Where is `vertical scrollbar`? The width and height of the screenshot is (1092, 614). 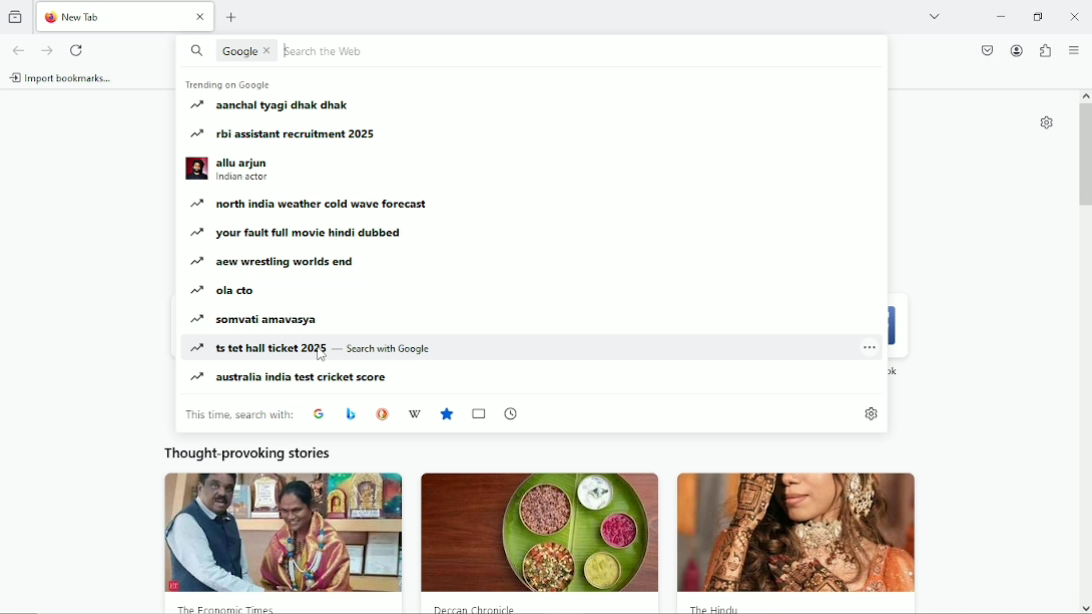 vertical scrollbar is located at coordinates (1083, 157).